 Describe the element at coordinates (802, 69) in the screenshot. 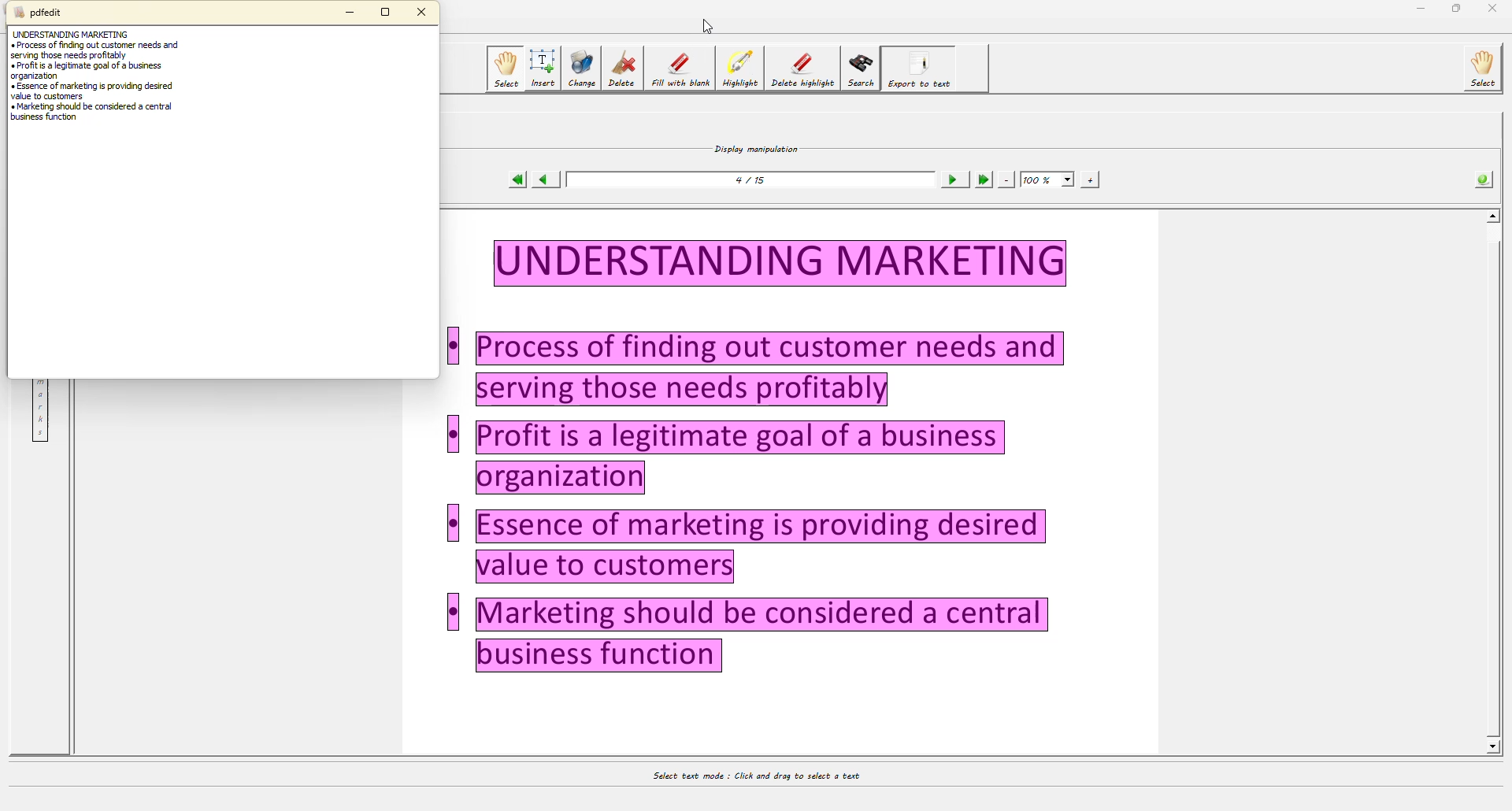

I see `delete highlight` at that location.